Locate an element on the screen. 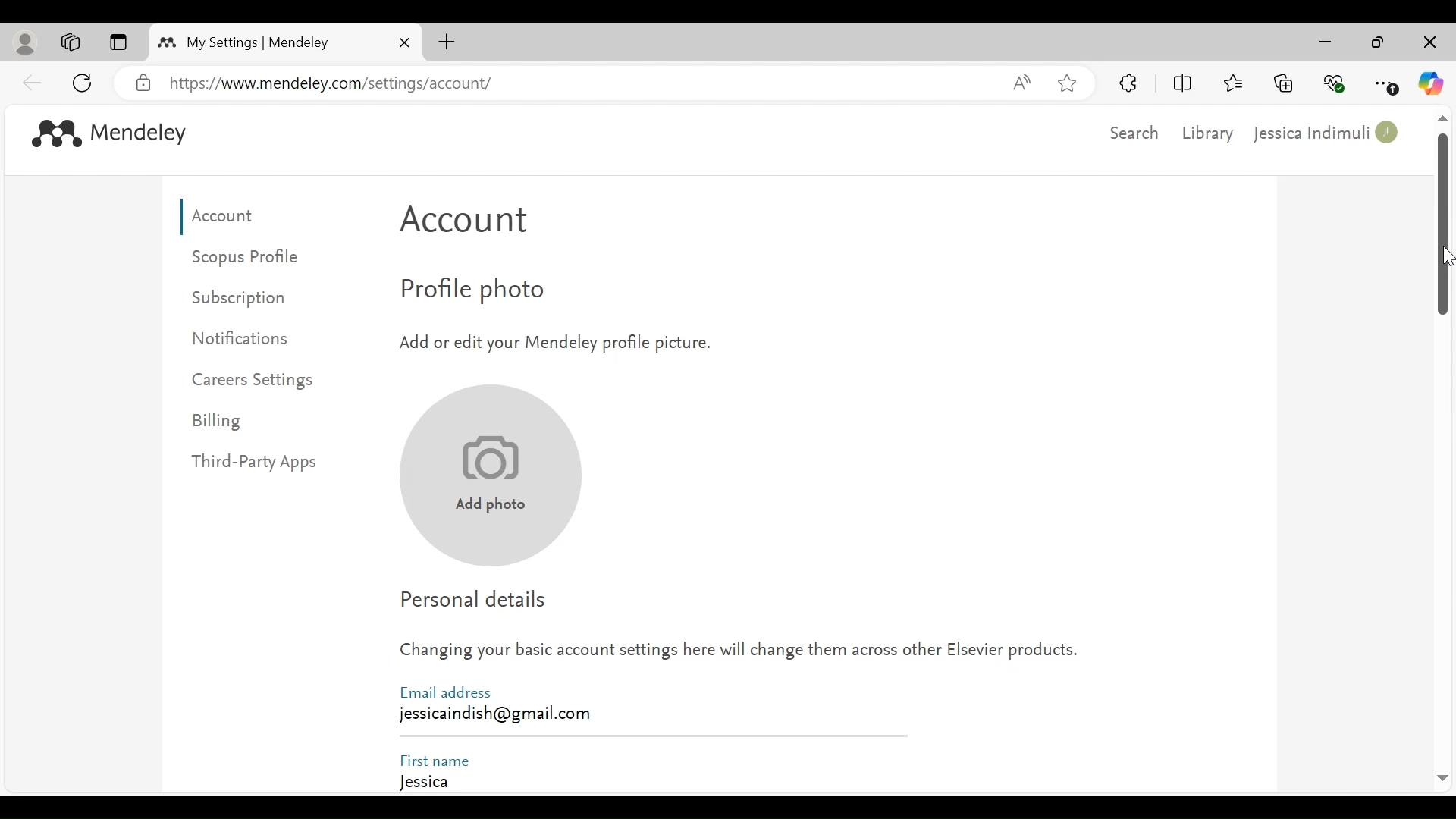 The image size is (1456, 819). Cursor is located at coordinates (1446, 256).